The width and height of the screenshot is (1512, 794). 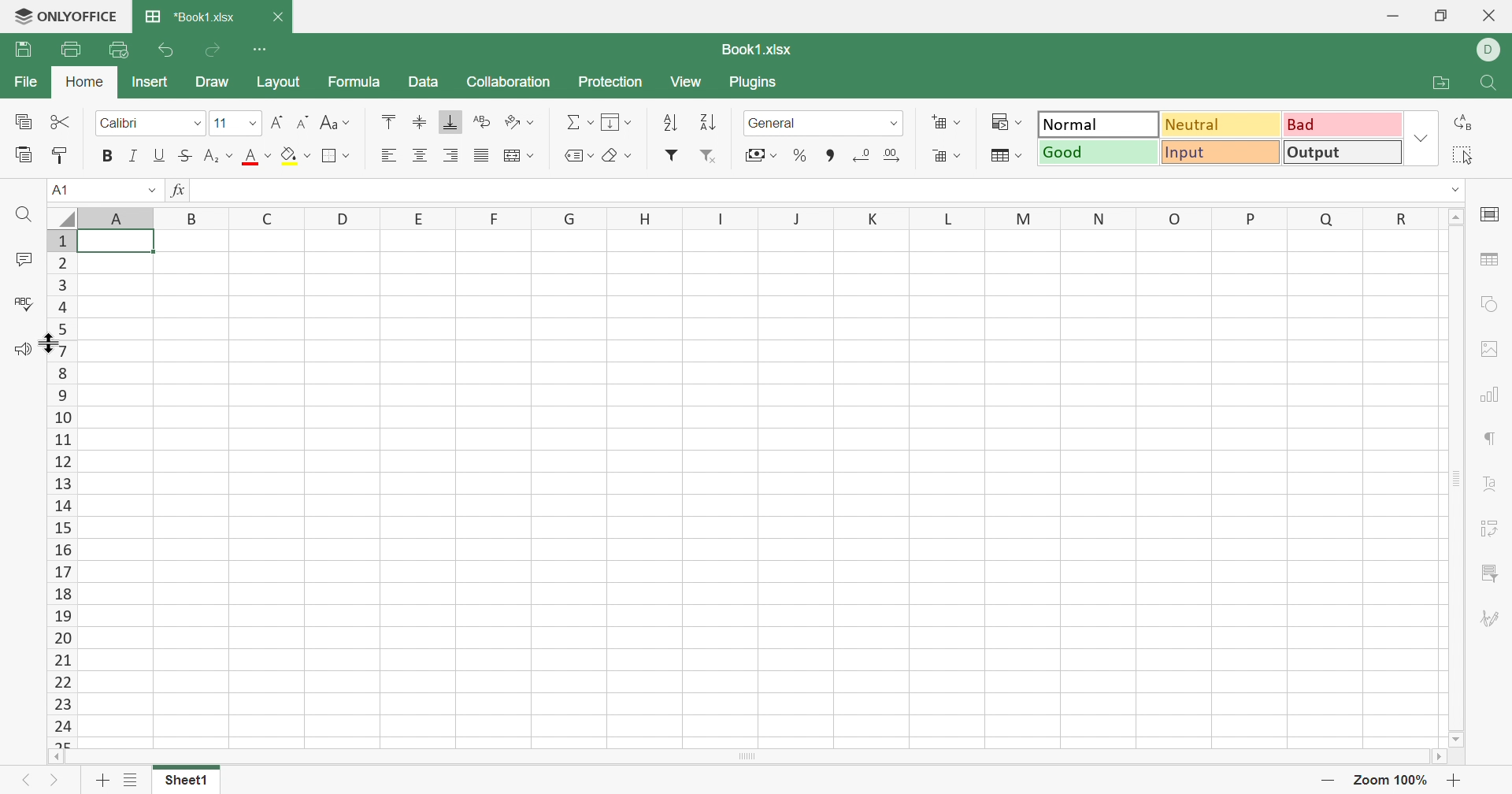 I want to click on Redo, so click(x=214, y=47).